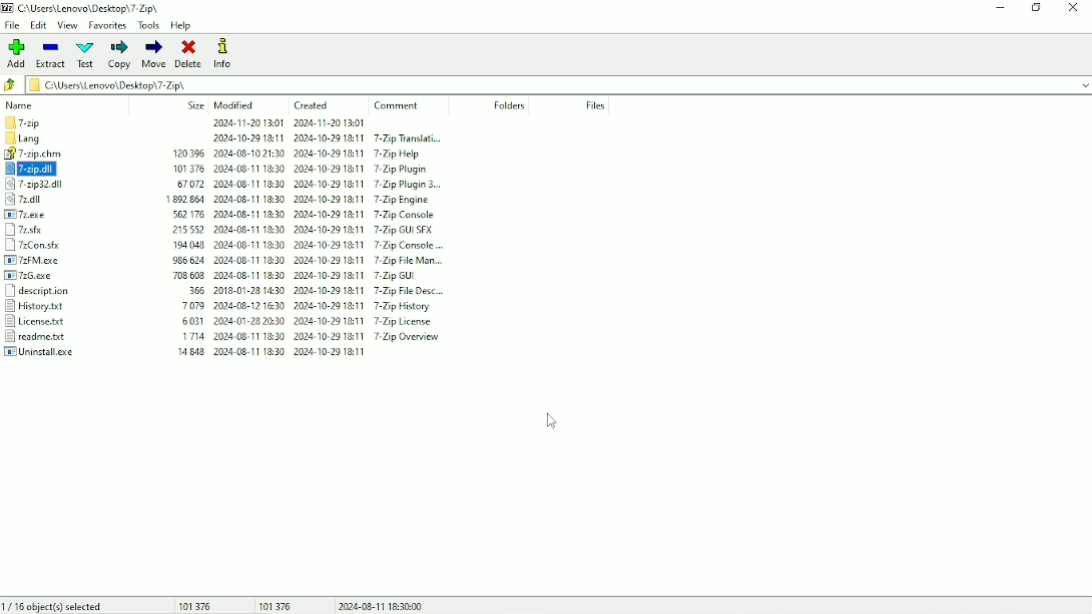 The height and width of the screenshot is (614, 1092). I want to click on View, so click(67, 25).